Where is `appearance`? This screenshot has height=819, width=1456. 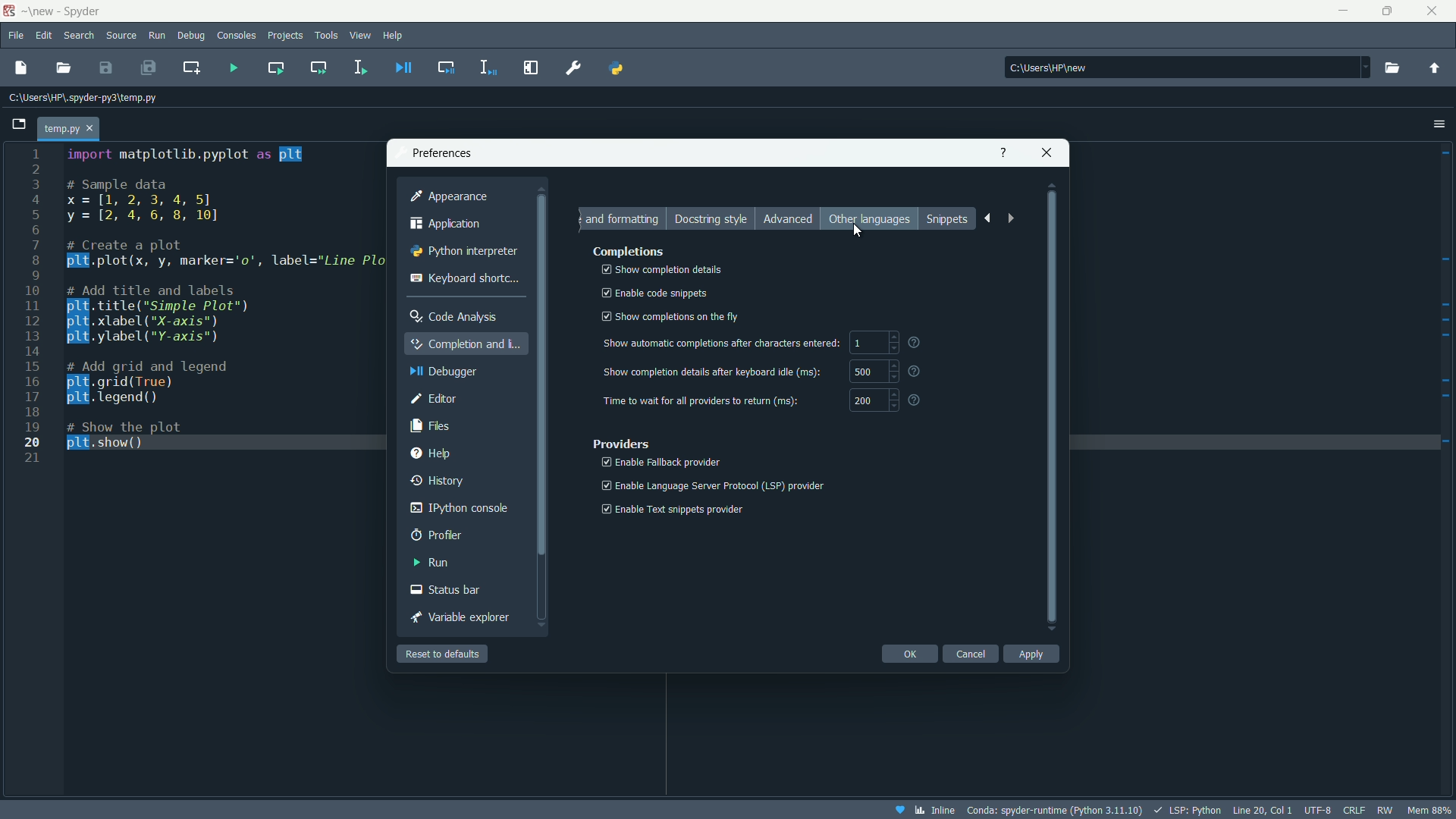 appearance is located at coordinates (448, 196).